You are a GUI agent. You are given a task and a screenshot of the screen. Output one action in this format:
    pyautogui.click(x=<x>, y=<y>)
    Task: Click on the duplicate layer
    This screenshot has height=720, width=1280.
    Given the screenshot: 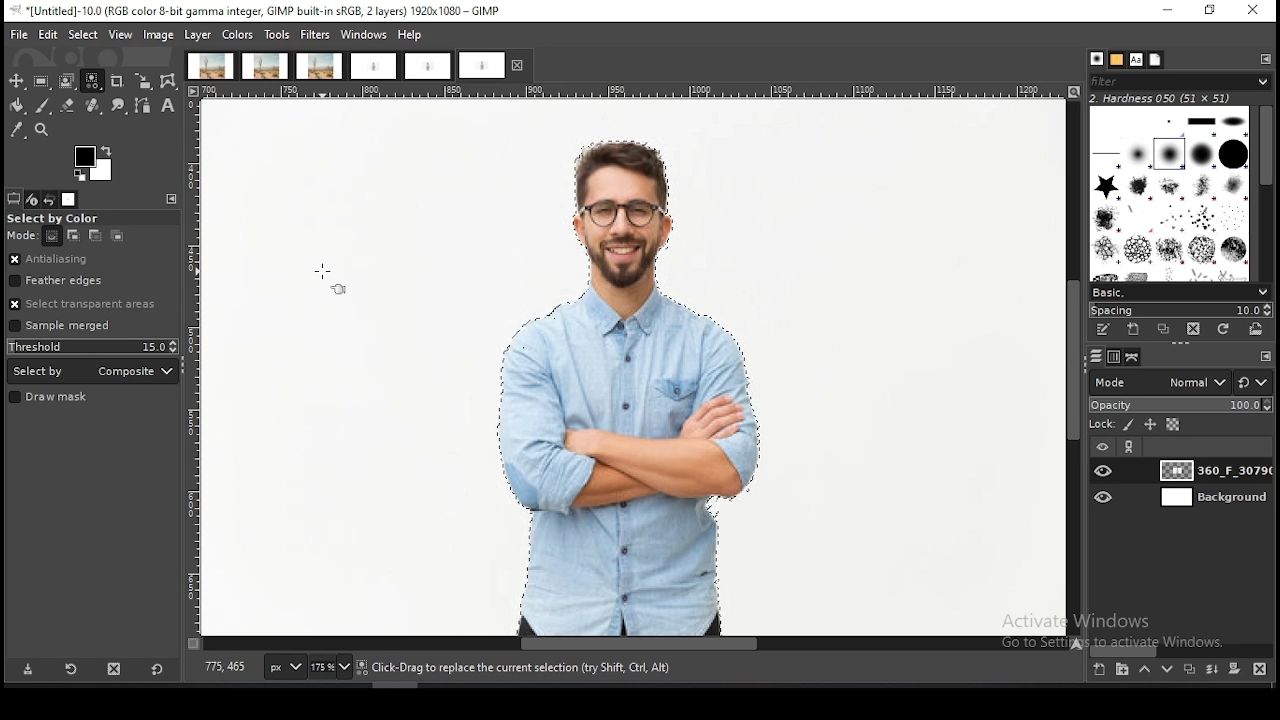 What is the action you would take?
    pyautogui.click(x=1187, y=668)
    